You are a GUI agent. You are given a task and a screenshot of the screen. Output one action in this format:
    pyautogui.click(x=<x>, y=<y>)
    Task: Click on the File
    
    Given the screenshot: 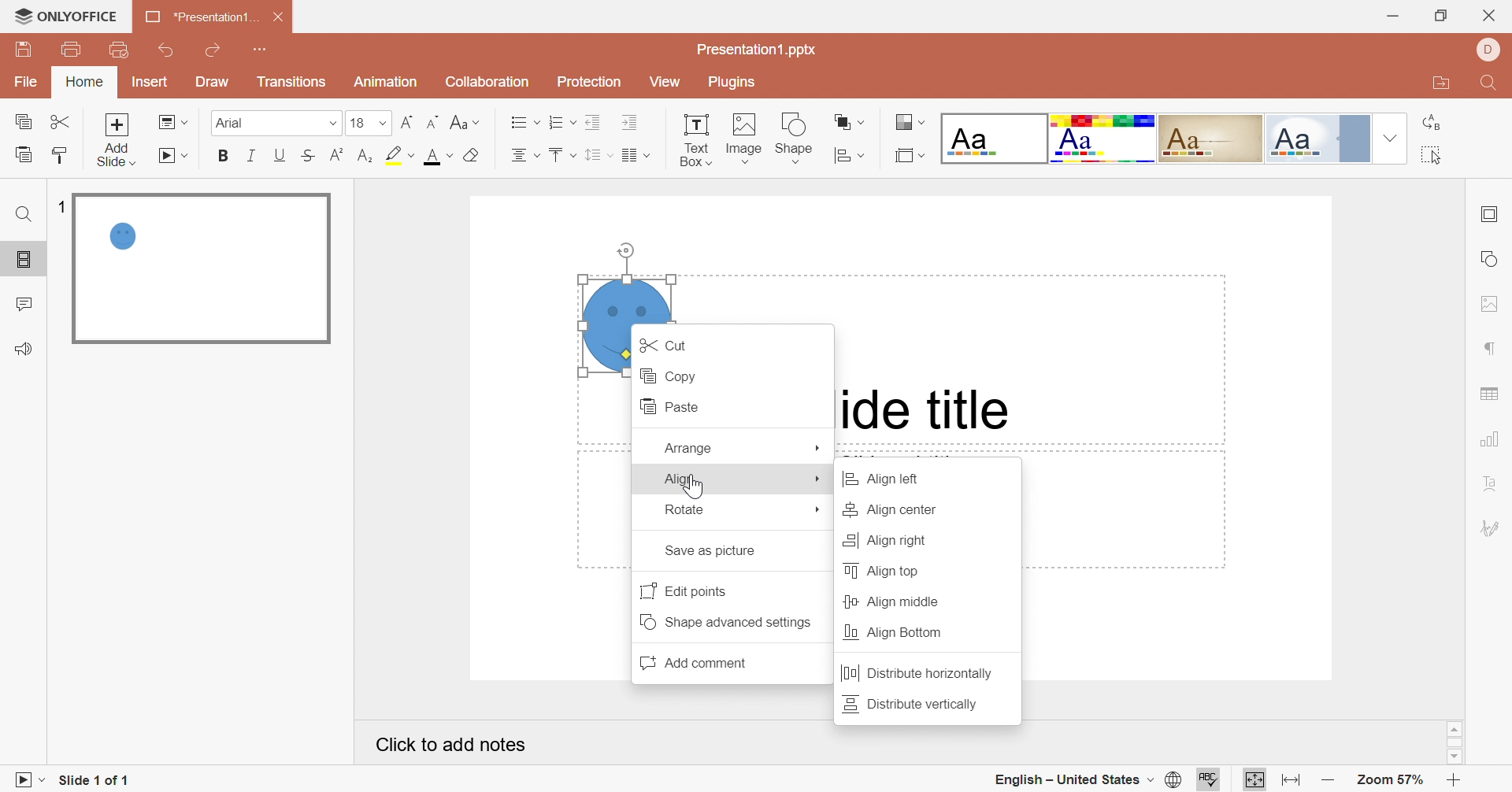 What is the action you would take?
    pyautogui.click(x=30, y=83)
    